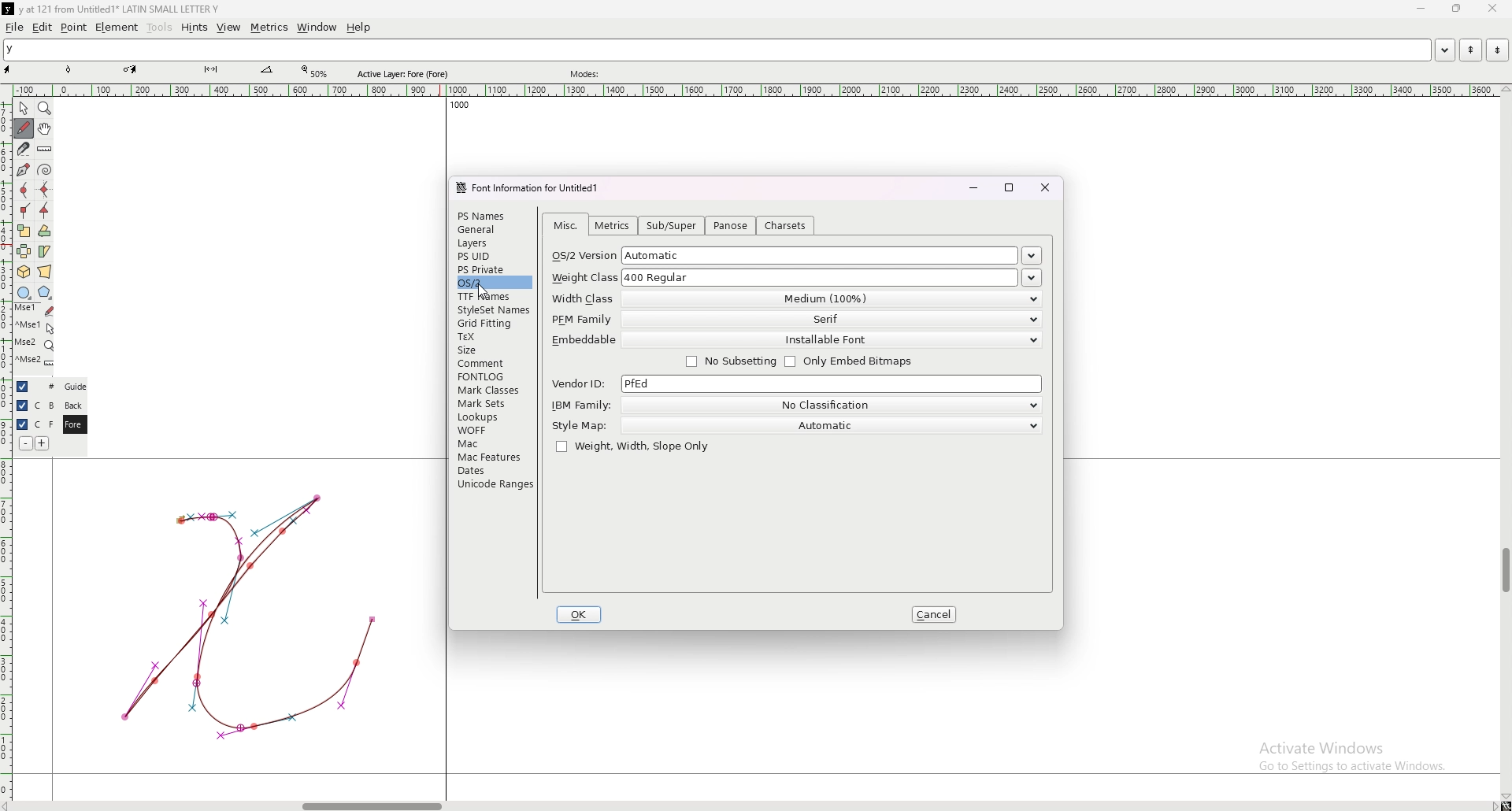 The width and height of the screenshot is (1512, 811). Describe the element at coordinates (35, 362) in the screenshot. I see `mse 2` at that location.